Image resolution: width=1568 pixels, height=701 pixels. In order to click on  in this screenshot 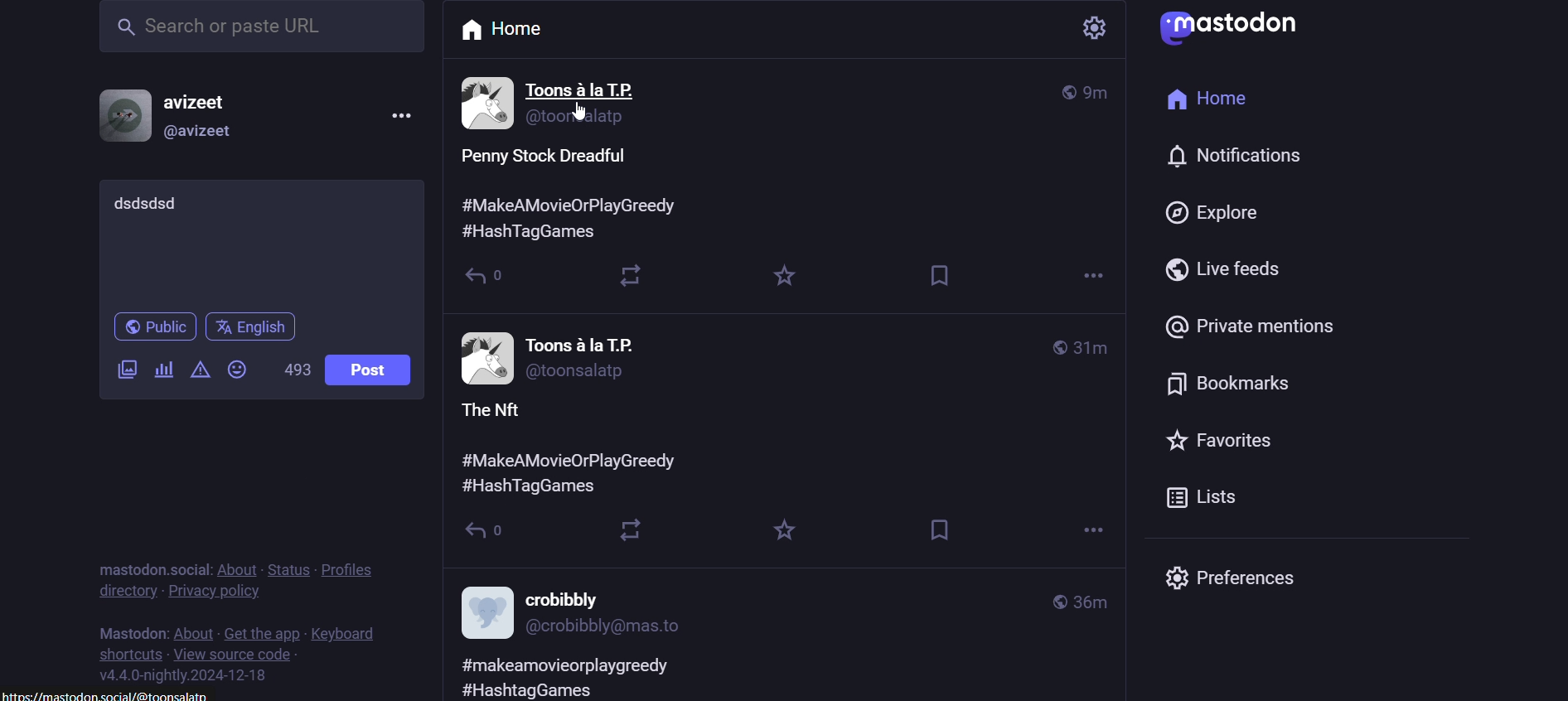, I will do `click(580, 371)`.